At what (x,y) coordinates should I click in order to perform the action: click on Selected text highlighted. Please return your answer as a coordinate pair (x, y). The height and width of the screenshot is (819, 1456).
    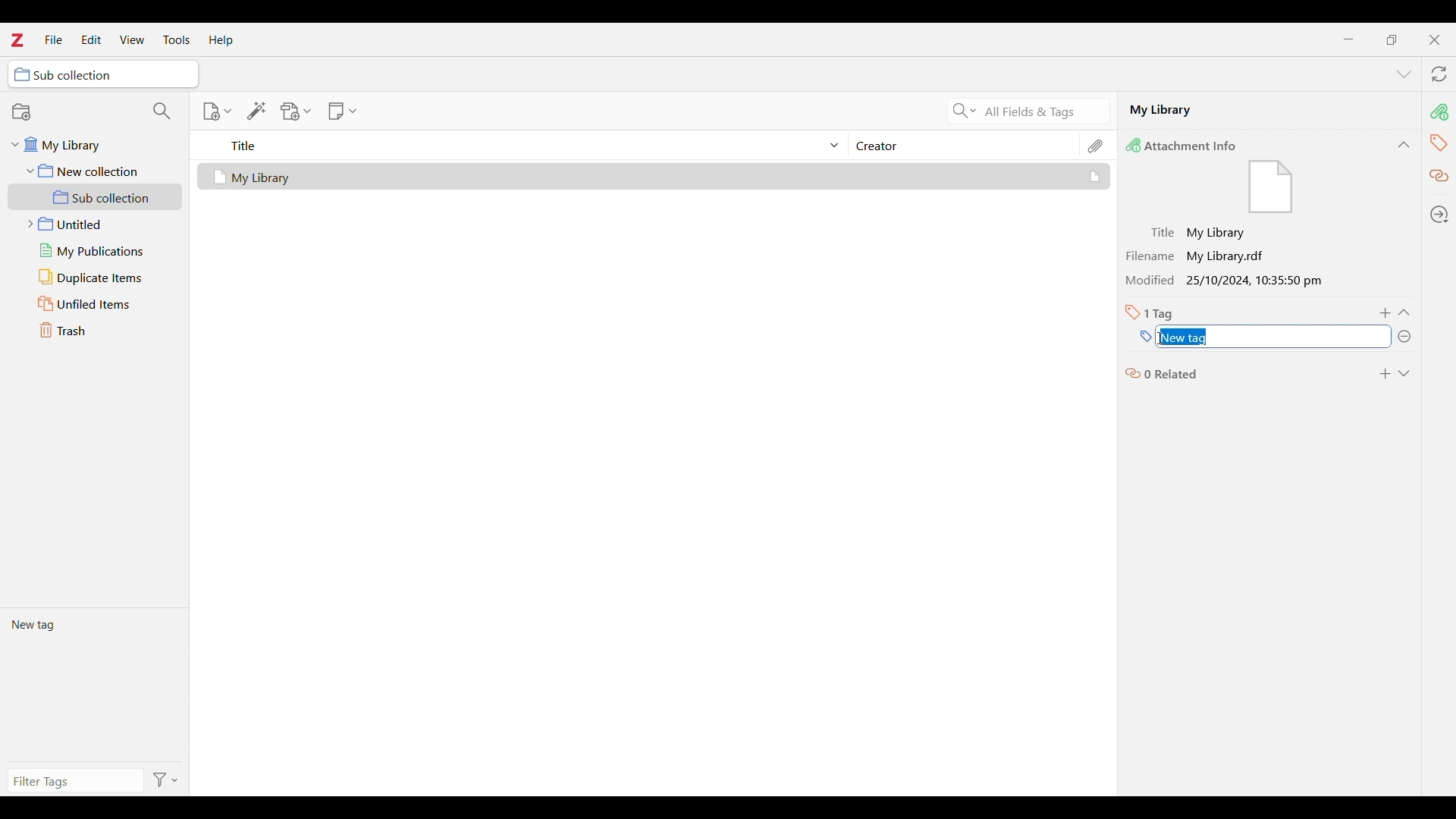
    Looking at the image, I should click on (1186, 337).